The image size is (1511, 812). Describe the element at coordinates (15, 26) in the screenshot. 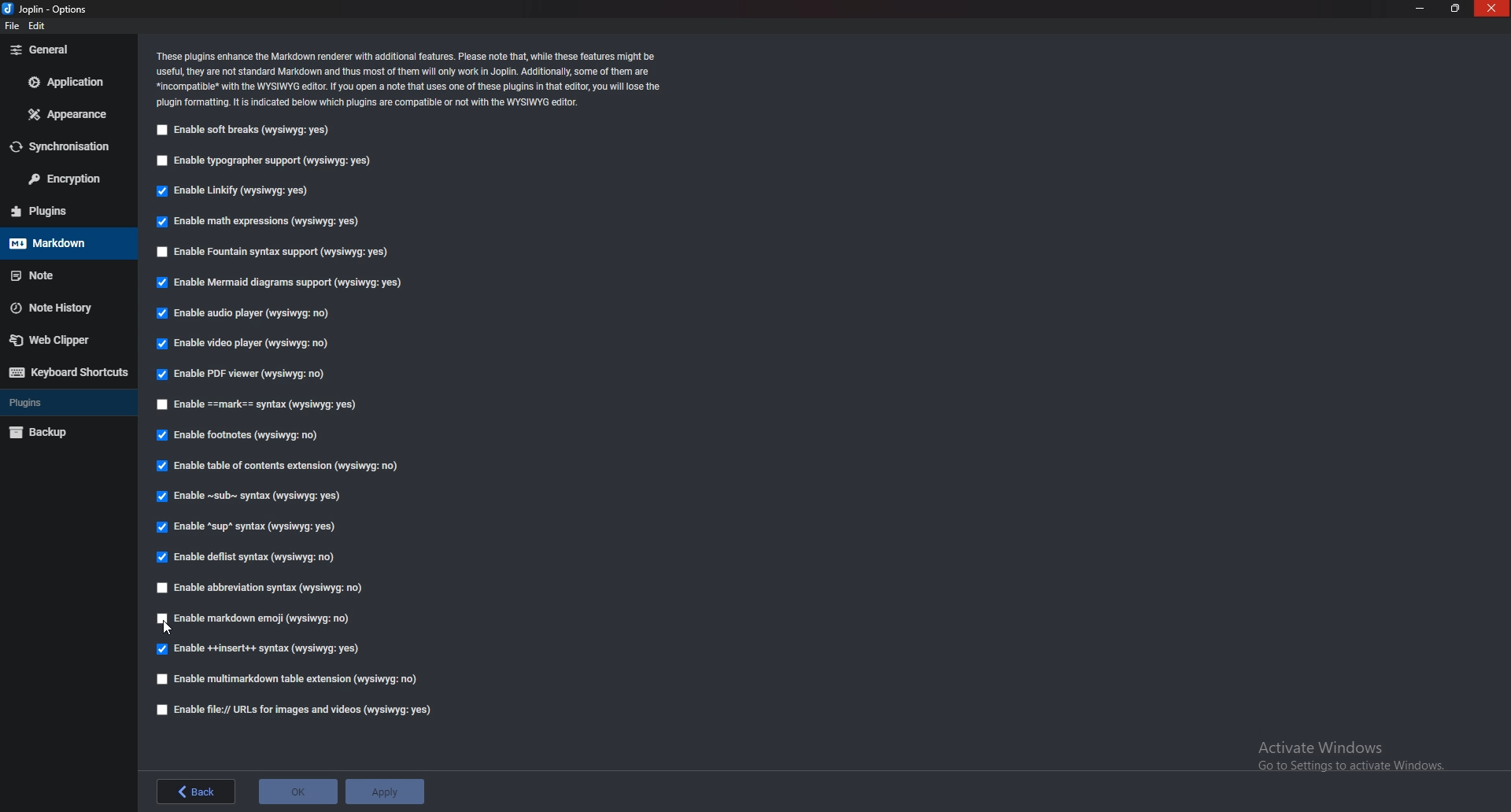

I see `file` at that location.